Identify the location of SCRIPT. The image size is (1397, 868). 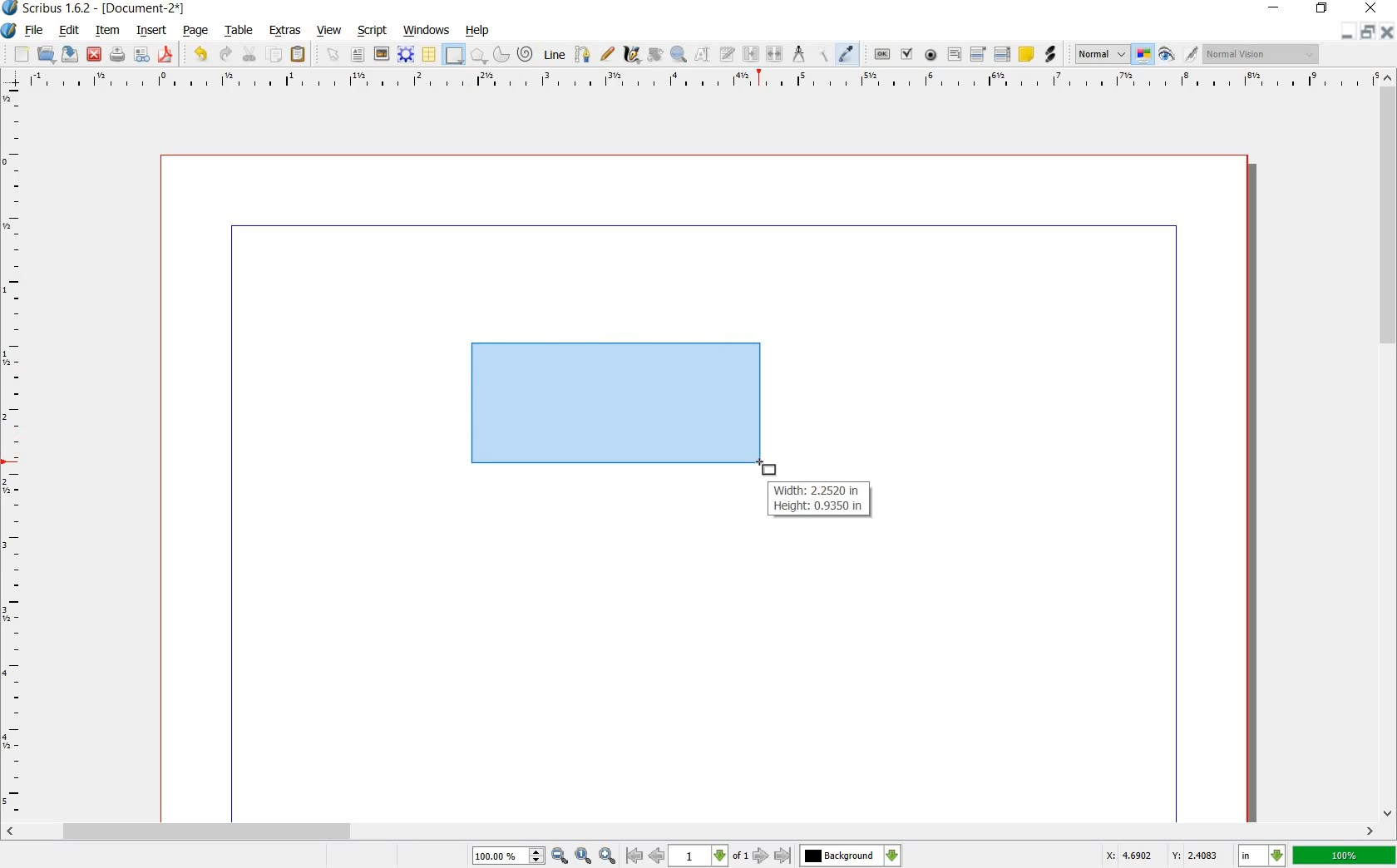
(370, 31).